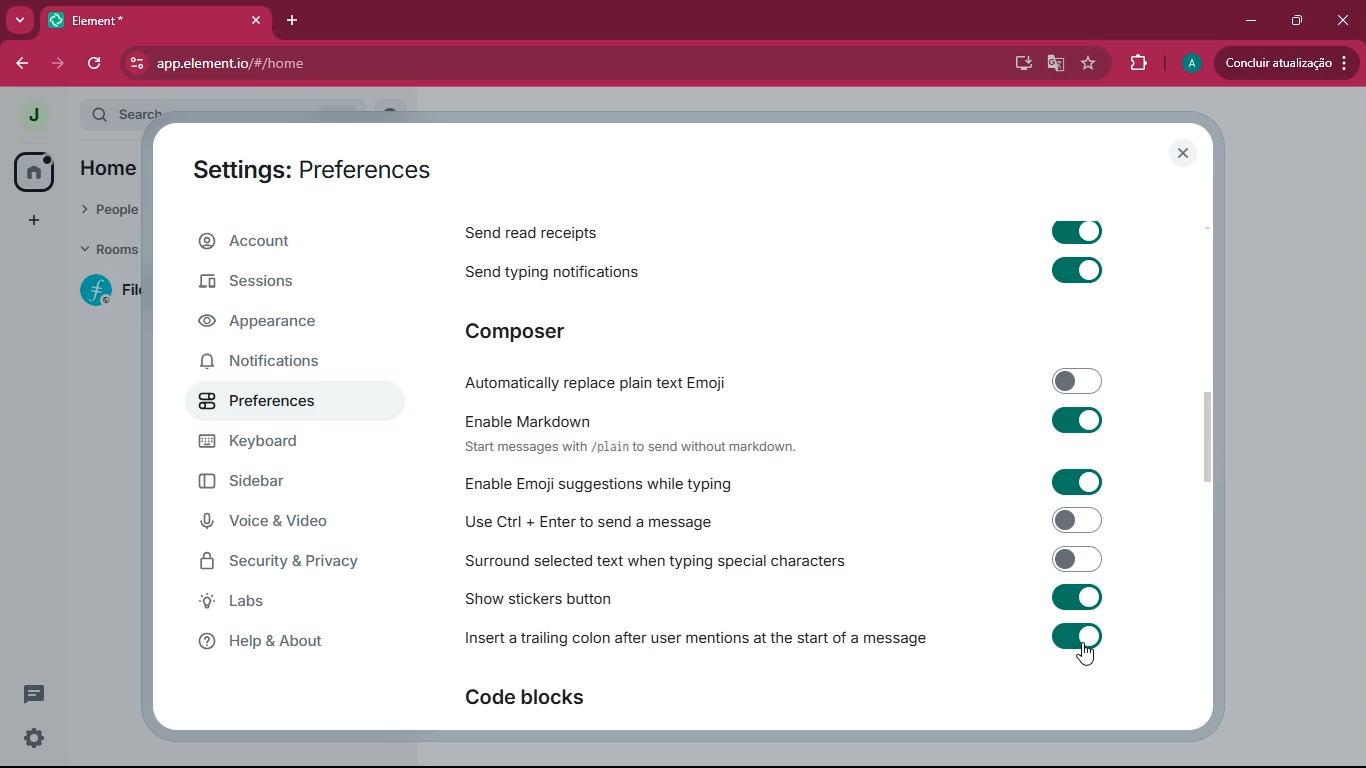 The image size is (1366, 768). What do you see at coordinates (1246, 21) in the screenshot?
I see `minimize` at bounding box center [1246, 21].